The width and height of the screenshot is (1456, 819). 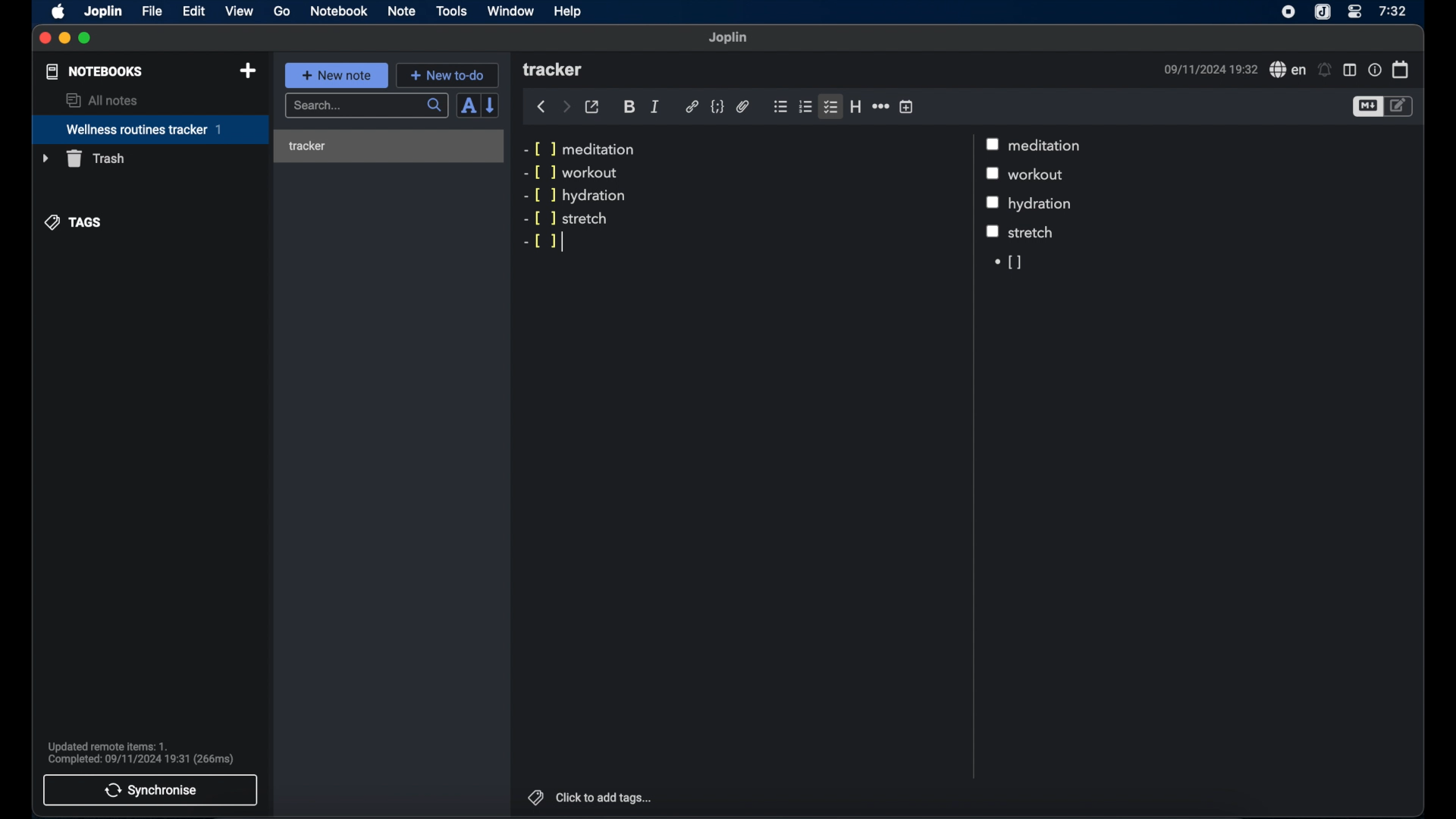 What do you see at coordinates (452, 11) in the screenshot?
I see `tools` at bounding box center [452, 11].